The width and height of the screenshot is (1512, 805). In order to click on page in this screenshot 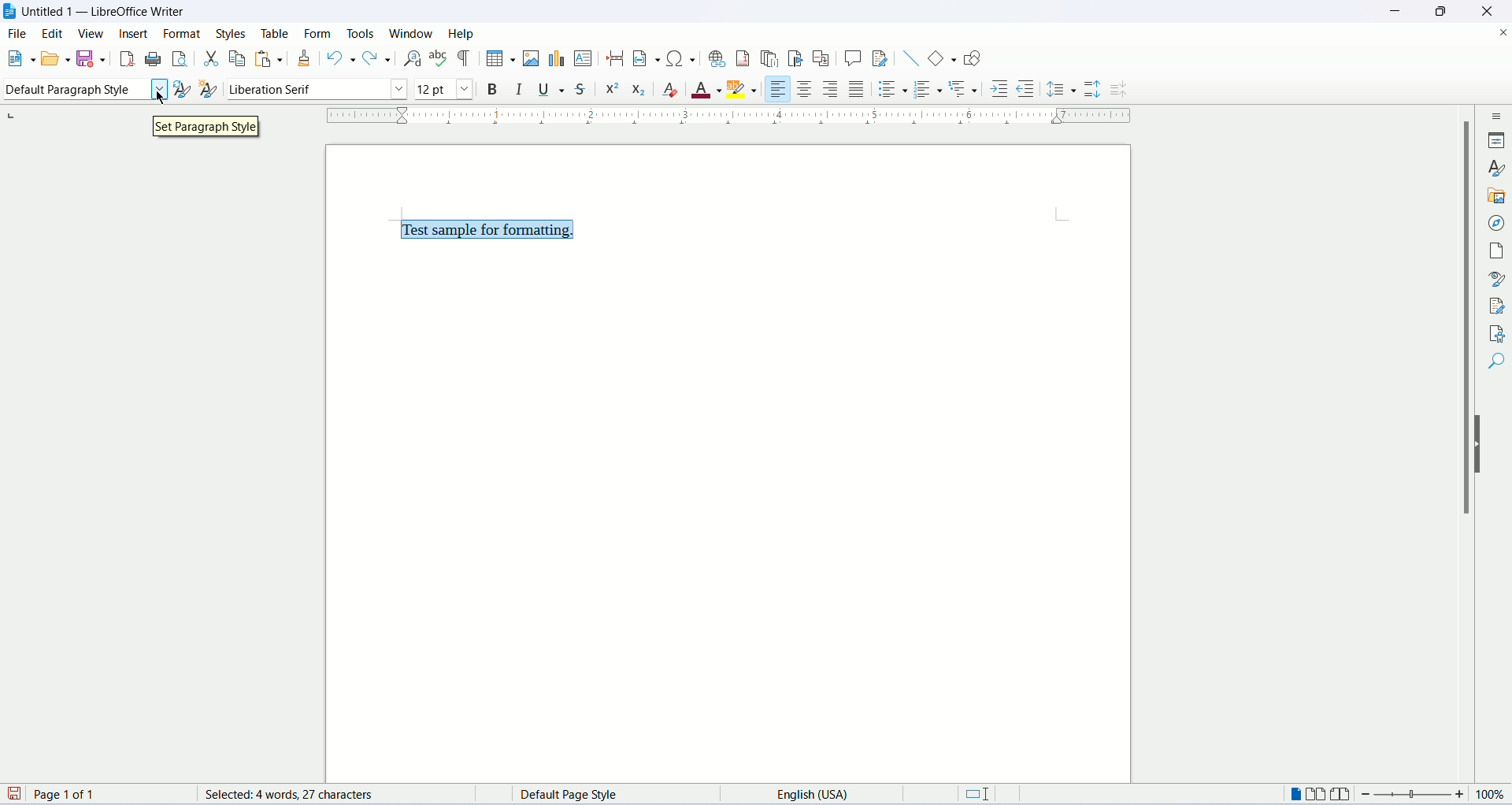, I will do `click(1499, 250)`.